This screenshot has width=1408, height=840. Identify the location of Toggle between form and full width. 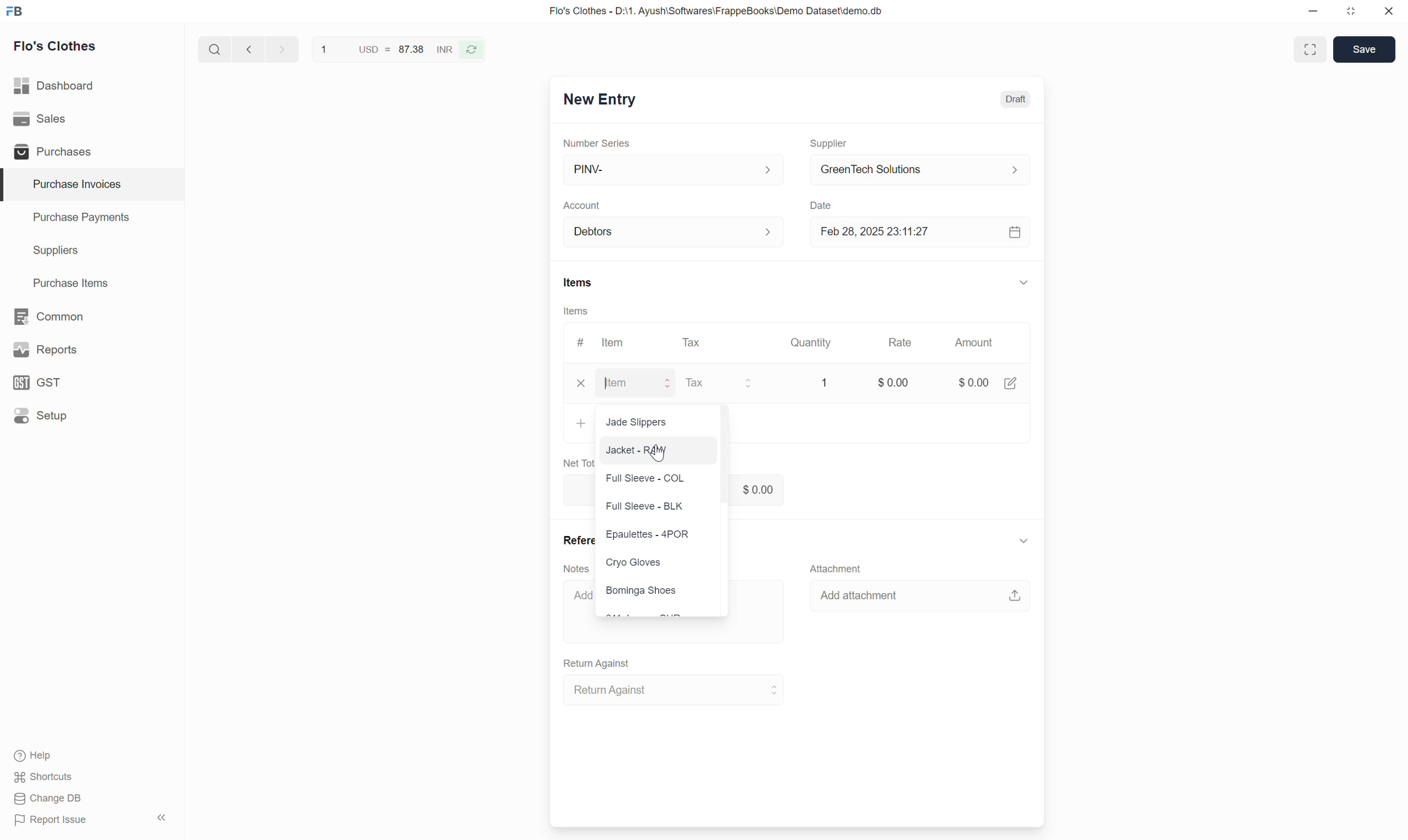
(1311, 49).